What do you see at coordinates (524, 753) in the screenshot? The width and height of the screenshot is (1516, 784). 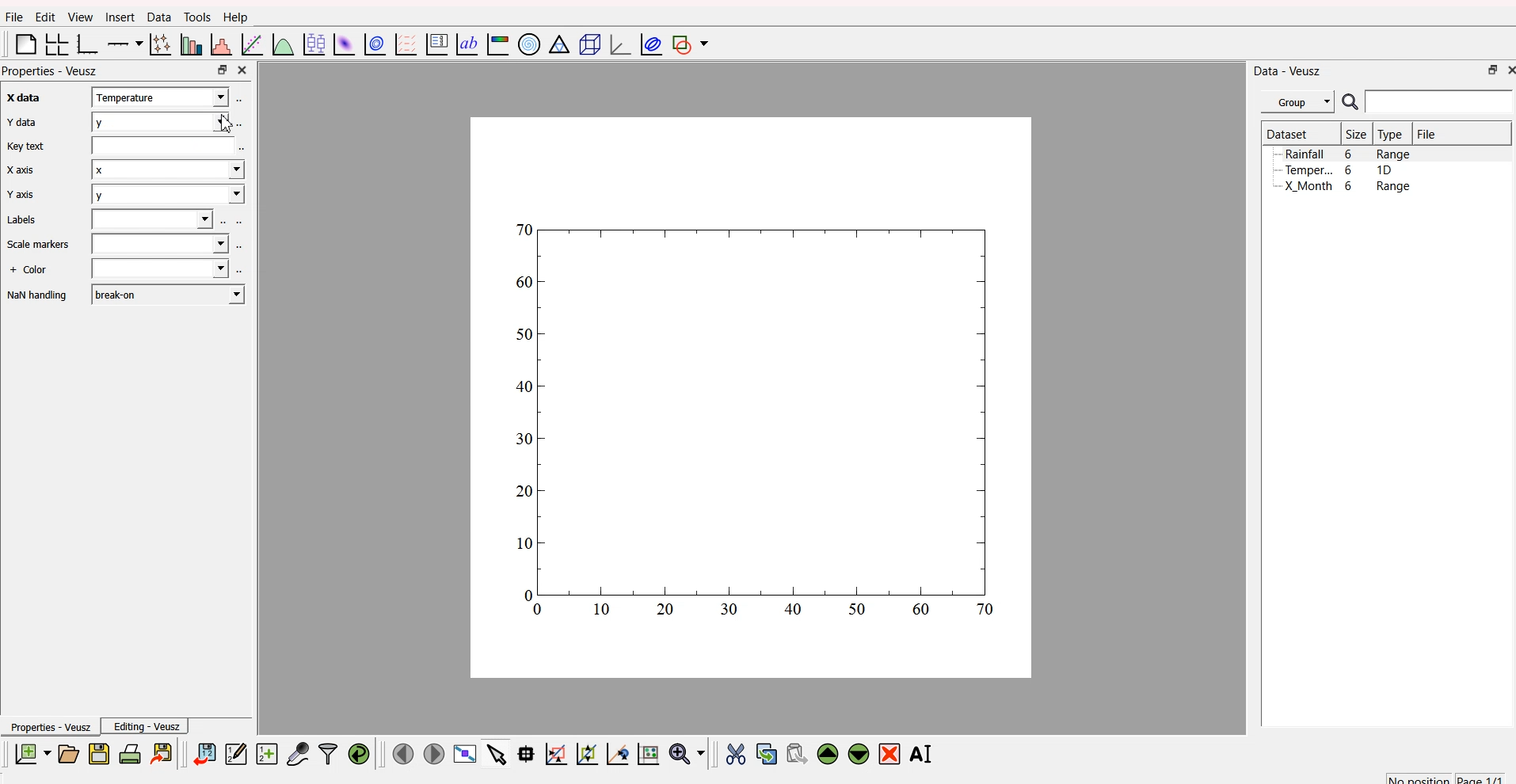 I see `read datapoint on graph` at bounding box center [524, 753].